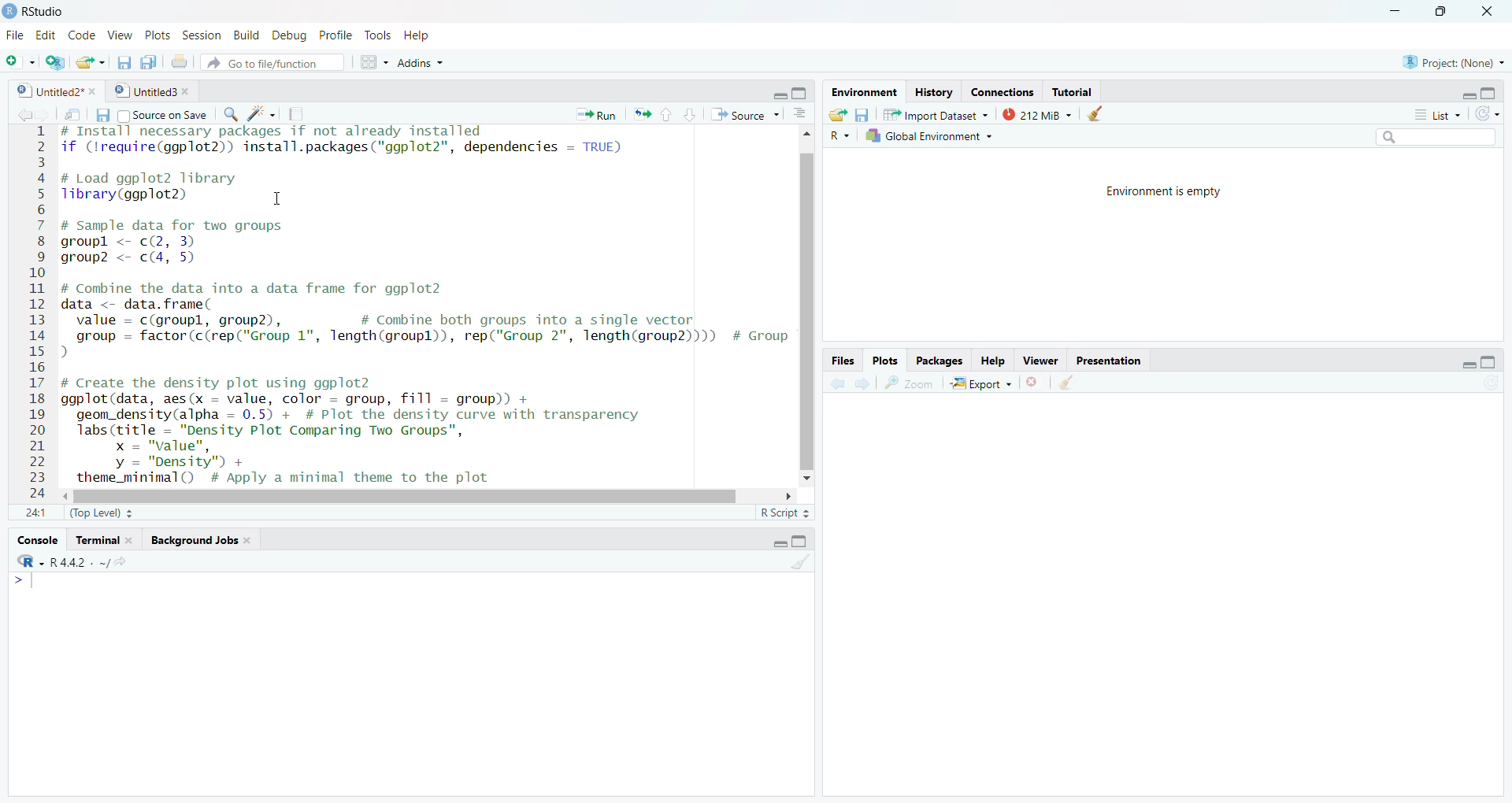  I want to click on connections, so click(999, 90).